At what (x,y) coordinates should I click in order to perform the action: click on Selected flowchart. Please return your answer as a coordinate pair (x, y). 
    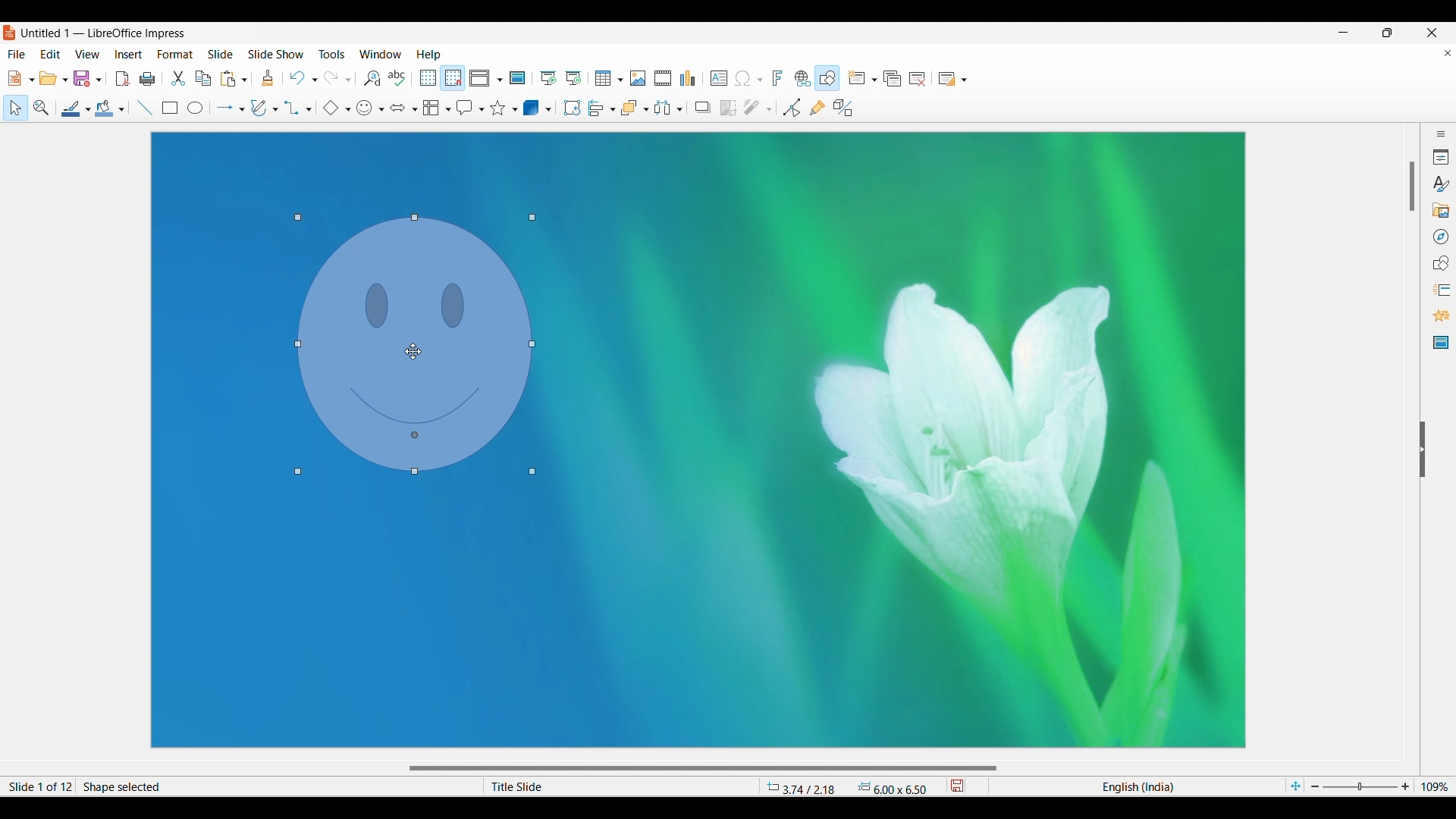
    Looking at the image, I should click on (431, 108).